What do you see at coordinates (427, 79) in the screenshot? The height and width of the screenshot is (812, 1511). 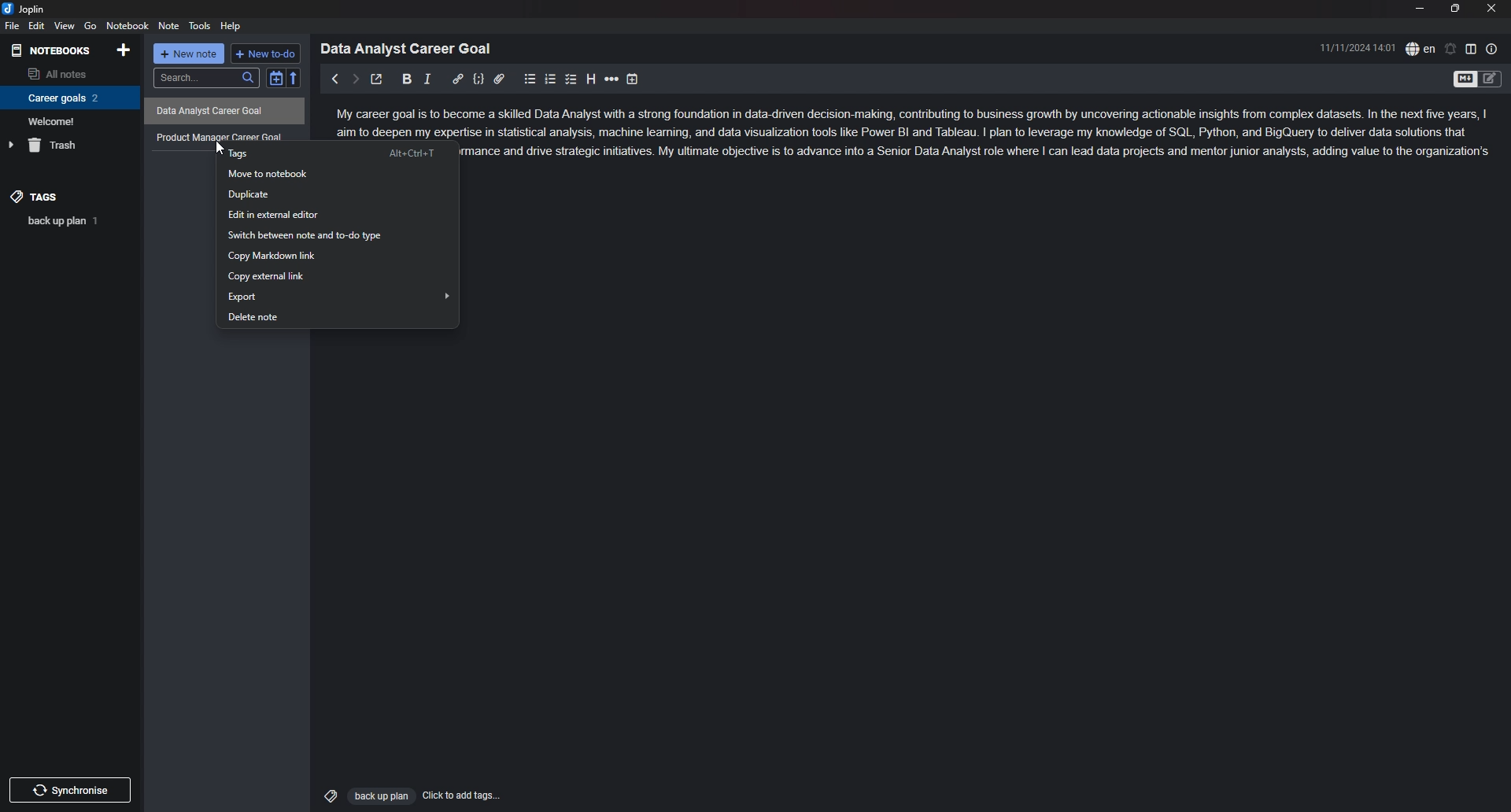 I see `italic` at bounding box center [427, 79].